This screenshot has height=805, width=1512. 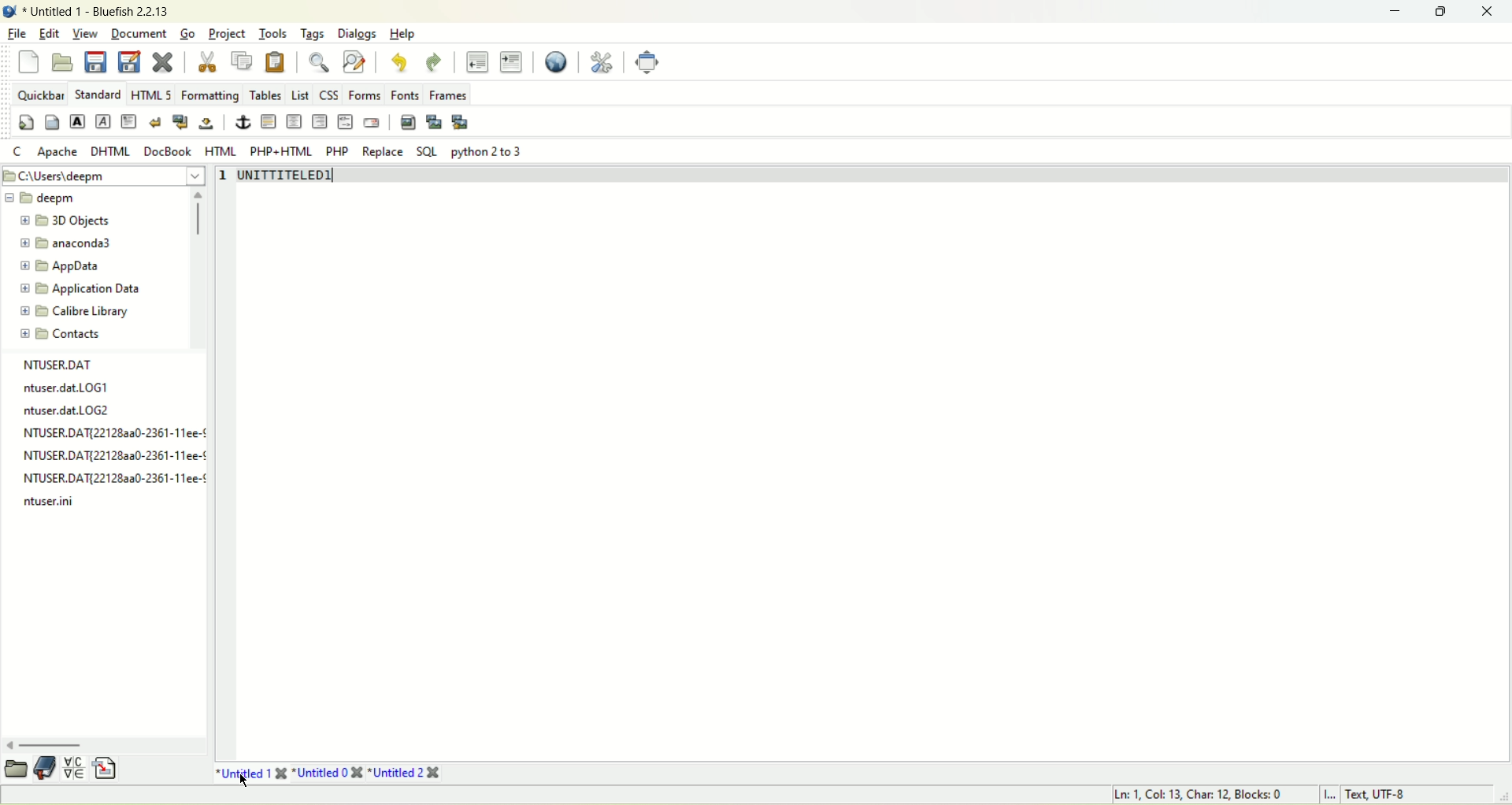 What do you see at coordinates (109, 153) in the screenshot?
I see `DHTML` at bounding box center [109, 153].